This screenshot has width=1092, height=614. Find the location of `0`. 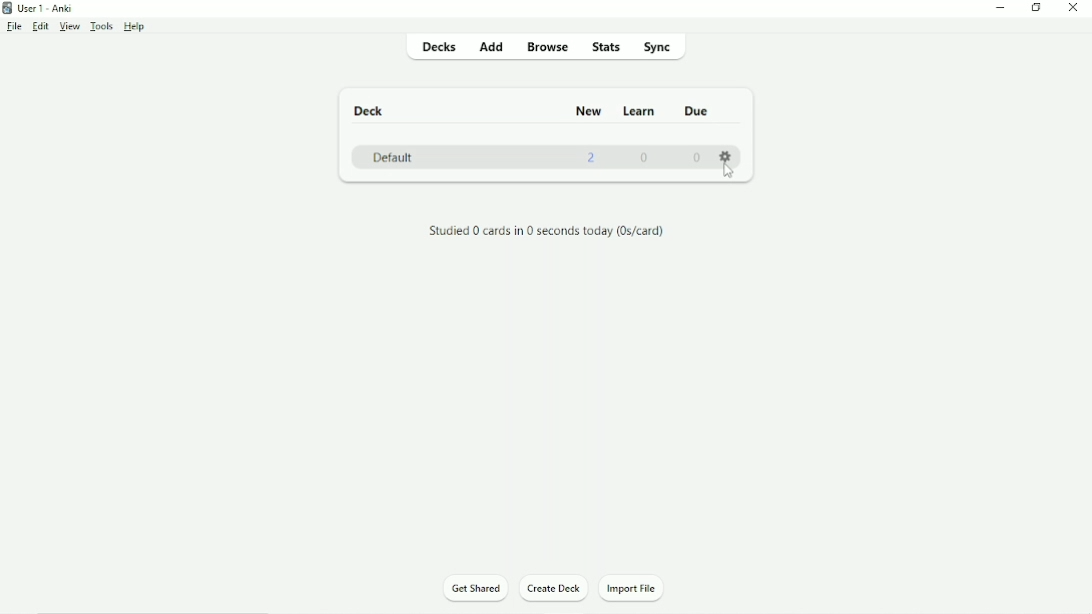

0 is located at coordinates (643, 159).